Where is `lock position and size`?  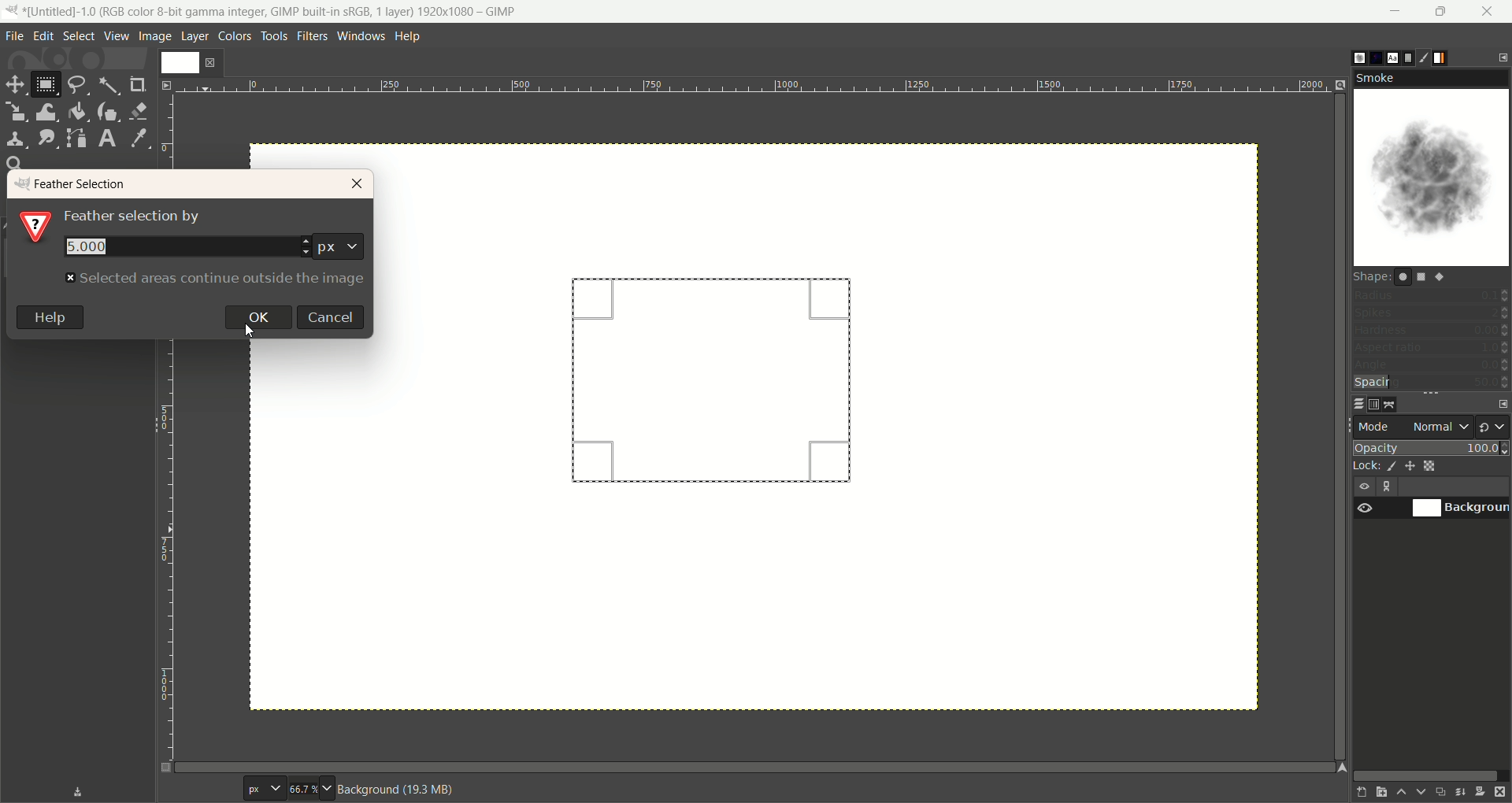
lock position and size is located at coordinates (1408, 465).